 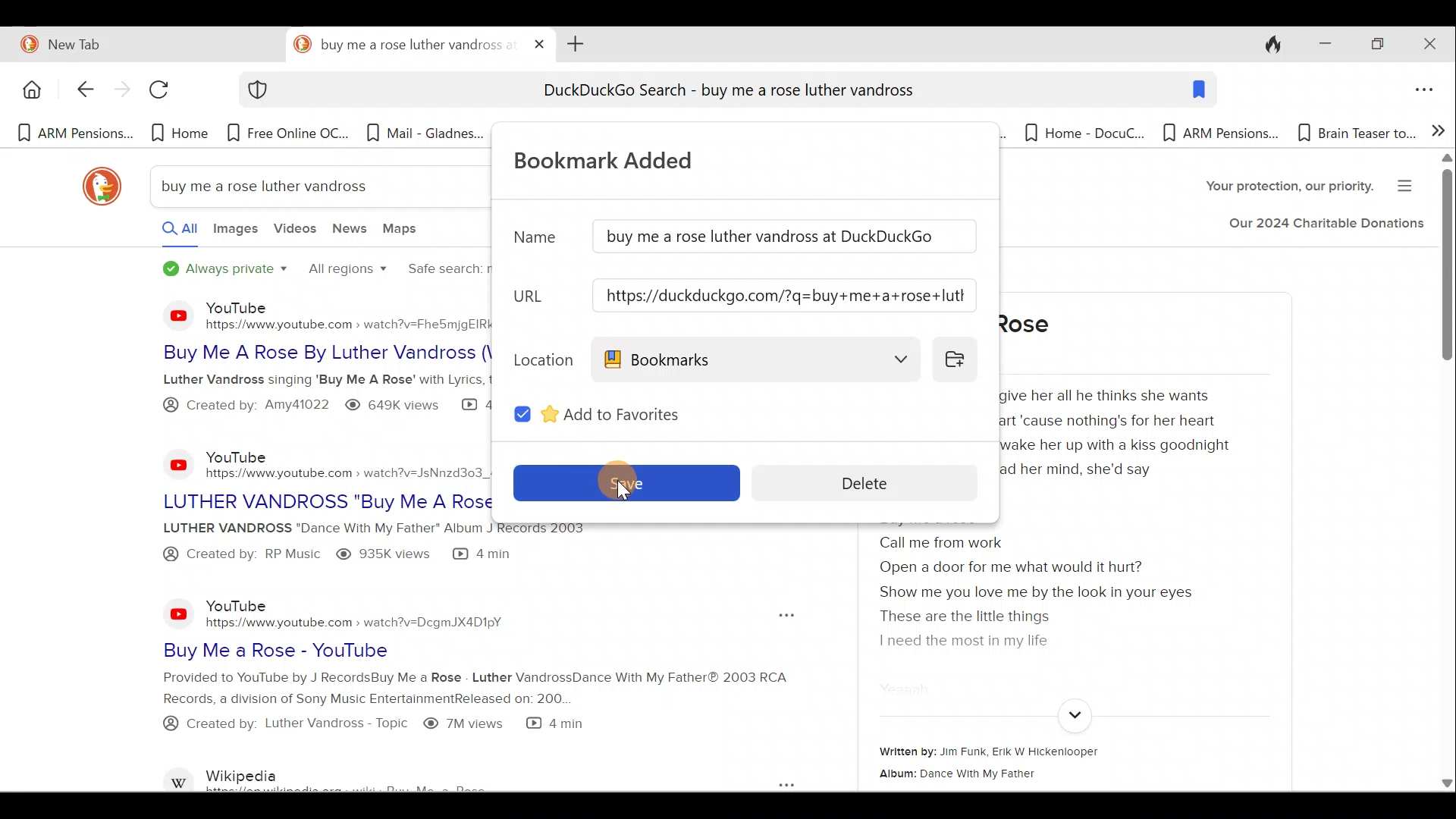 I want to click on Expand, so click(x=1072, y=716).